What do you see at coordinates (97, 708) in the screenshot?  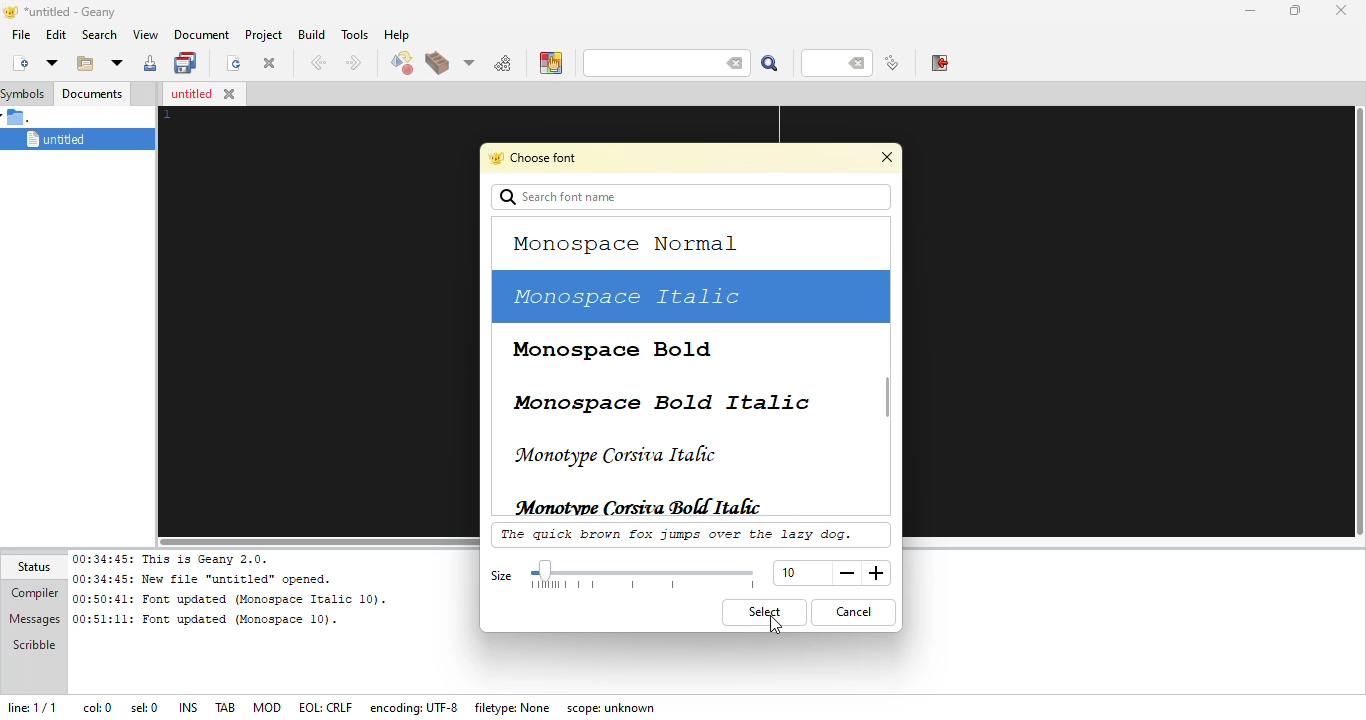 I see `col: 0` at bounding box center [97, 708].